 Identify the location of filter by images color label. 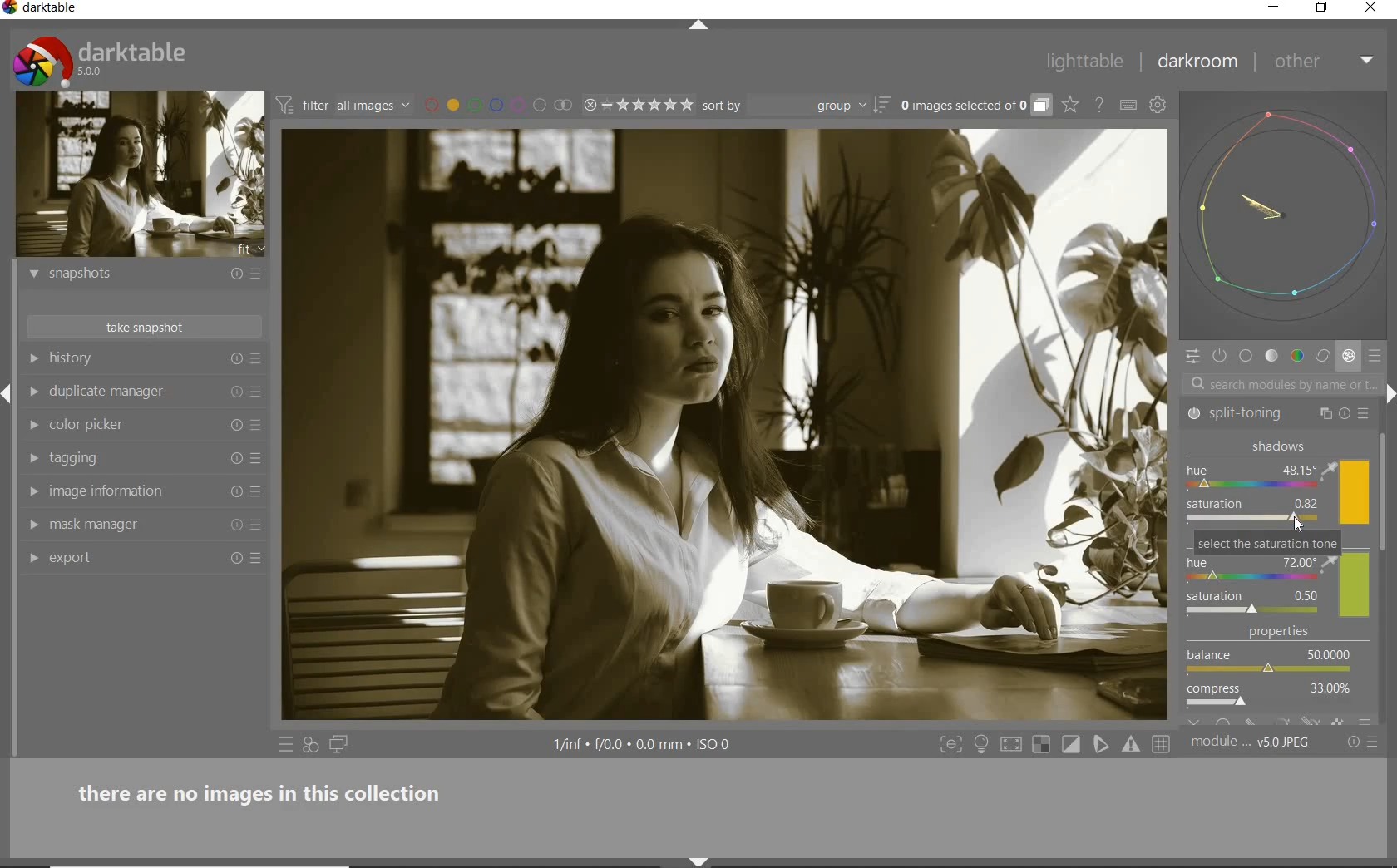
(497, 105).